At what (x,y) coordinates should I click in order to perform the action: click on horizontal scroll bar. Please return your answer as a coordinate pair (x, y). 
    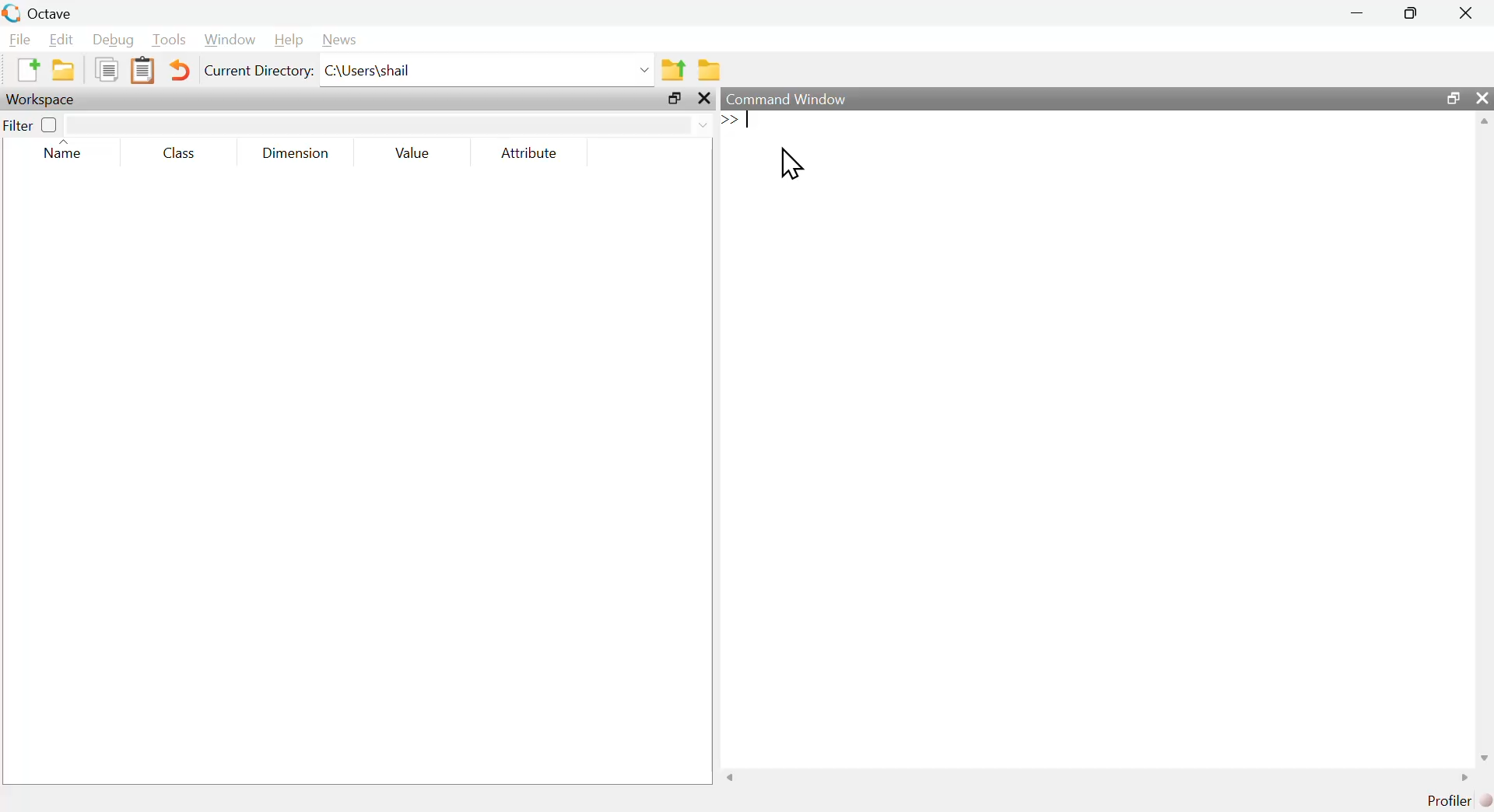
    Looking at the image, I should click on (1098, 777).